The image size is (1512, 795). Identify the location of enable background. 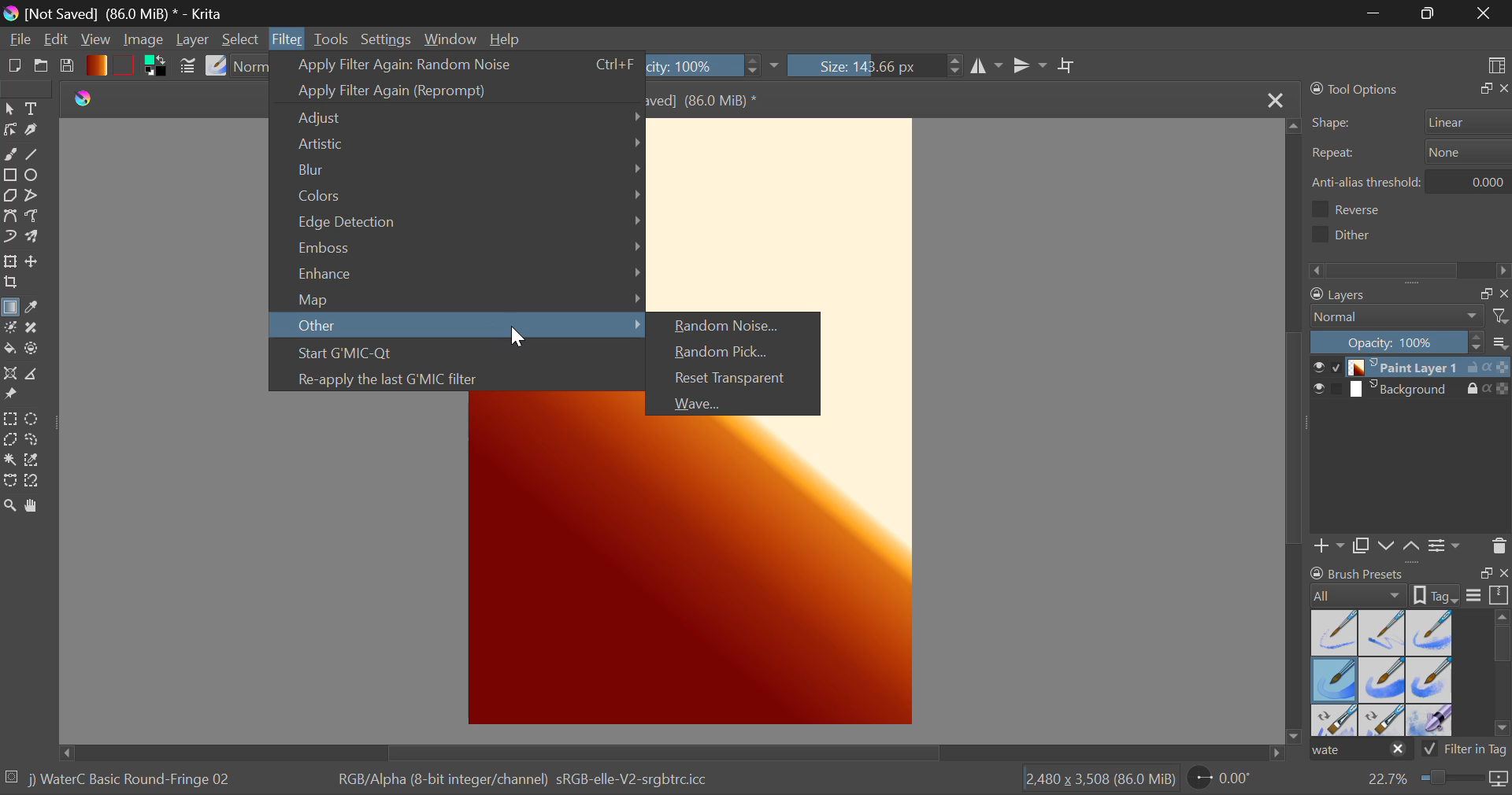
(1338, 393).